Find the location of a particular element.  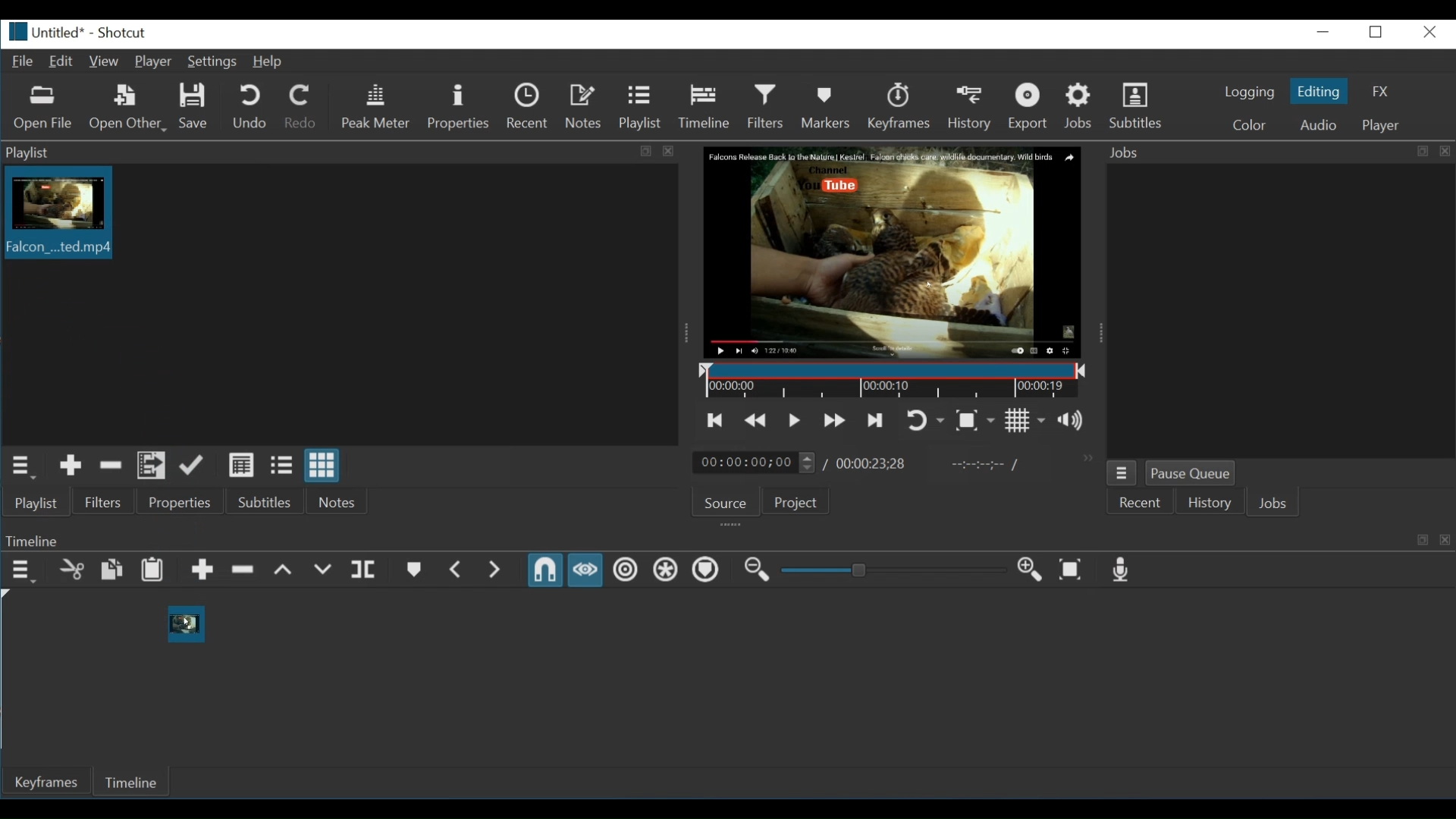

Save is located at coordinates (195, 107).